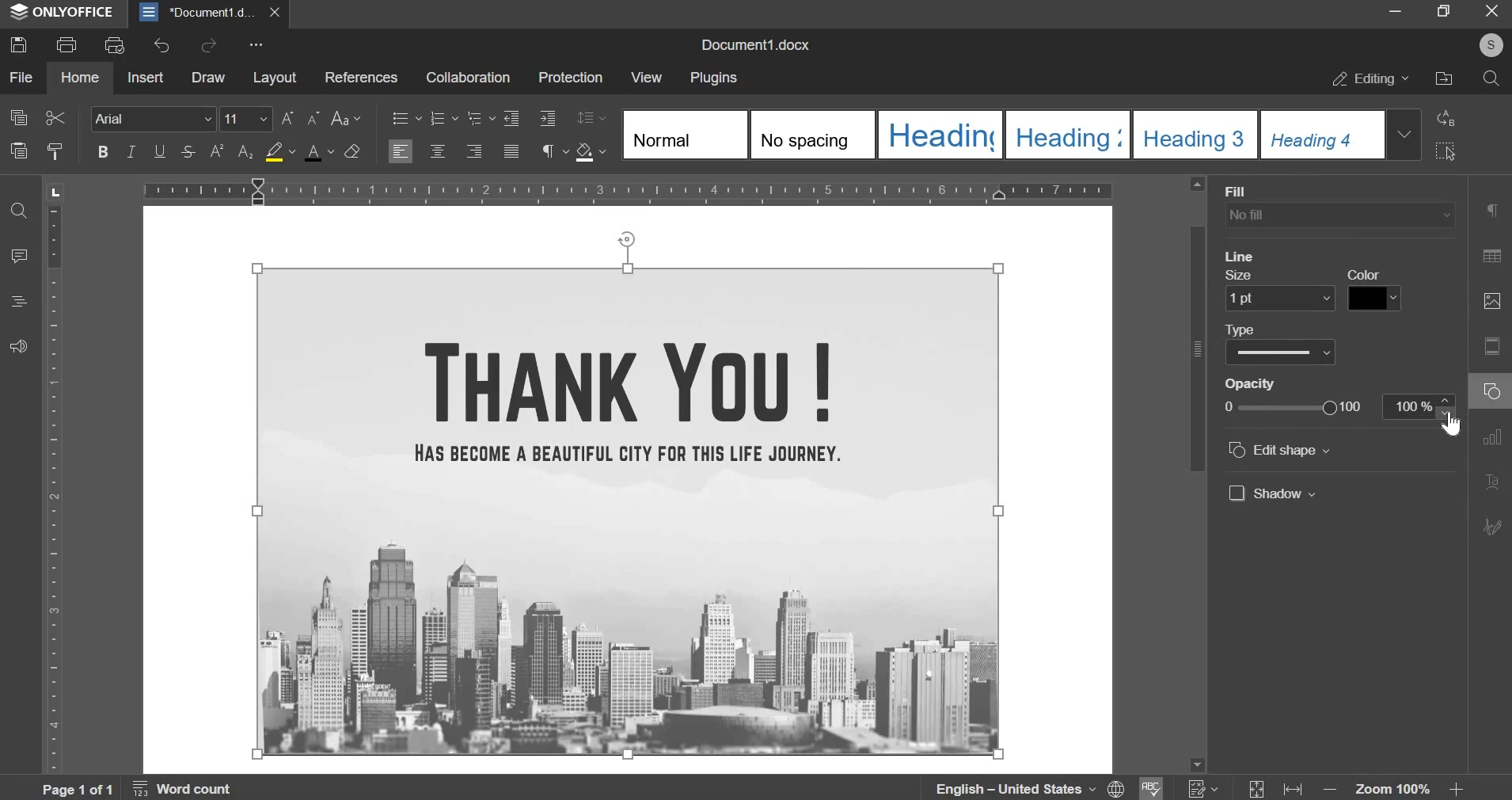 The image size is (1512, 800). Describe the element at coordinates (275, 77) in the screenshot. I see `layout` at that location.